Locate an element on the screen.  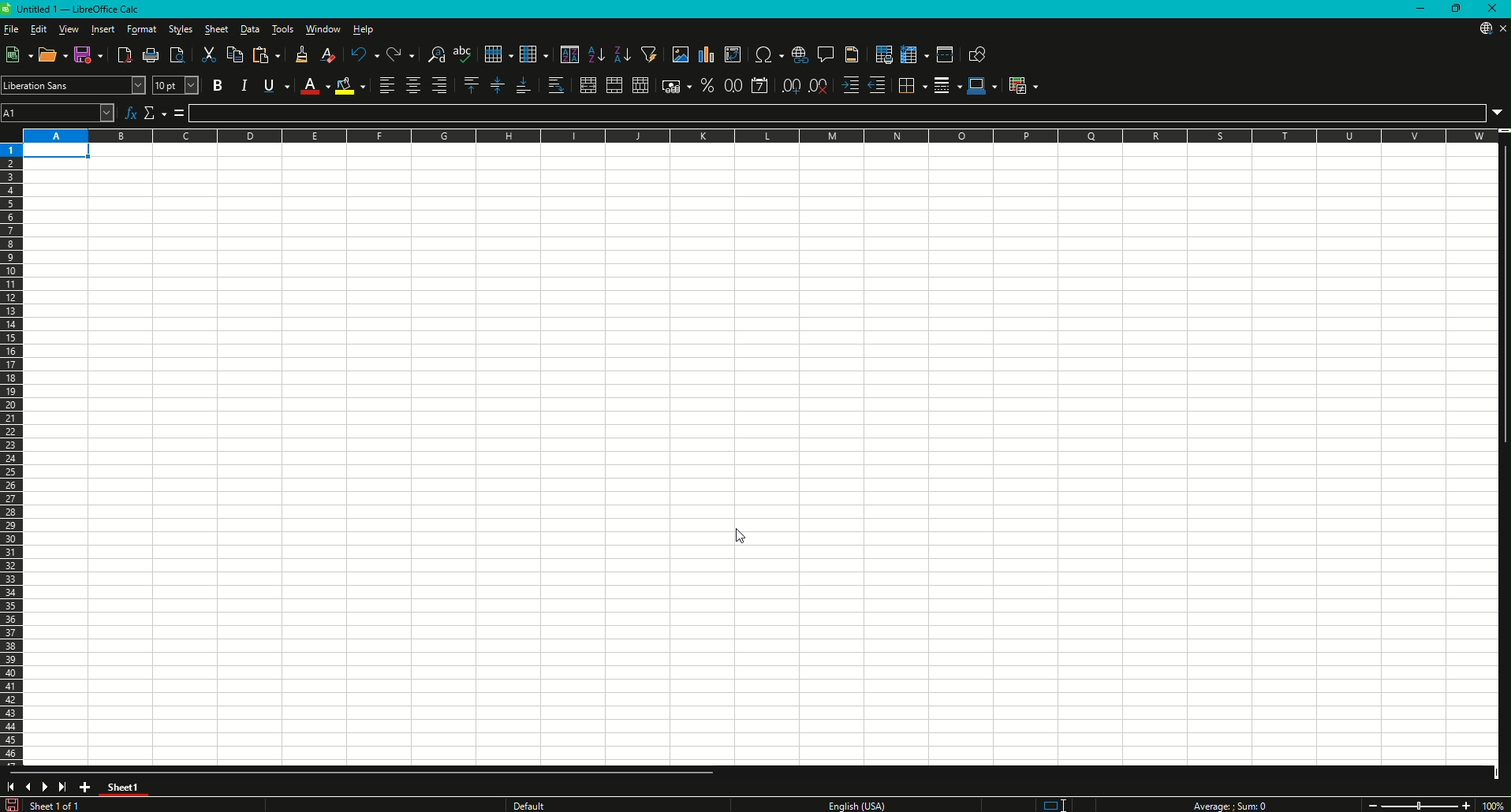
Merge and Center or Unmerge is located at coordinates (588, 85).